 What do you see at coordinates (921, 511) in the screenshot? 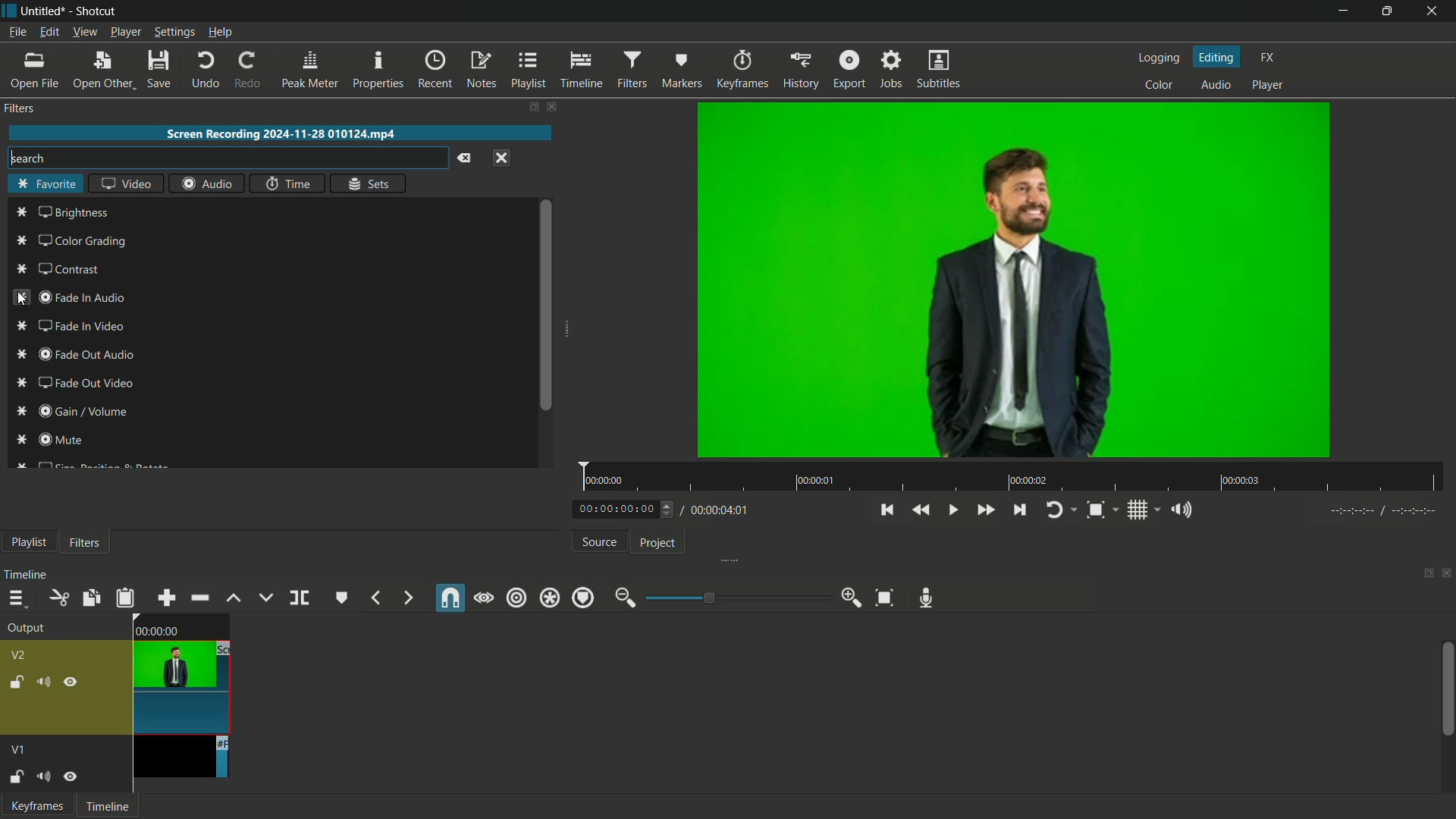
I see `quickly play backward` at bounding box center [921, 511].